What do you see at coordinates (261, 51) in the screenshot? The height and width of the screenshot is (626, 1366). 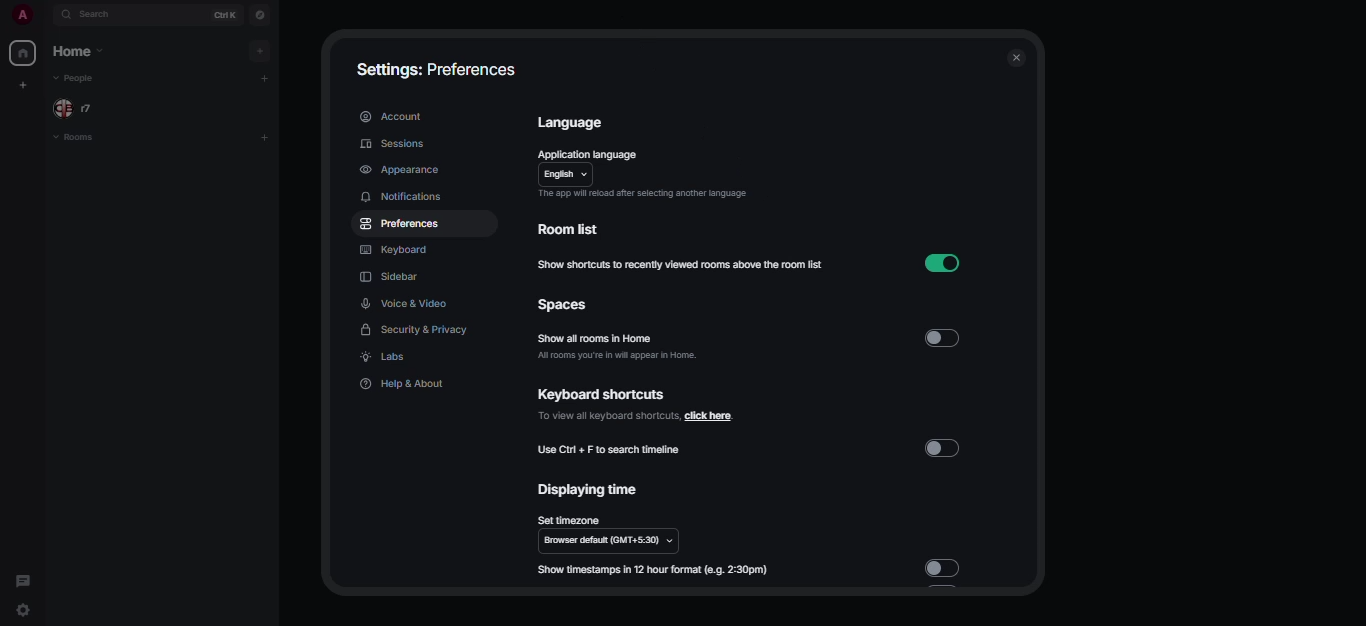 I see `add` at bounding box center [261, 51].